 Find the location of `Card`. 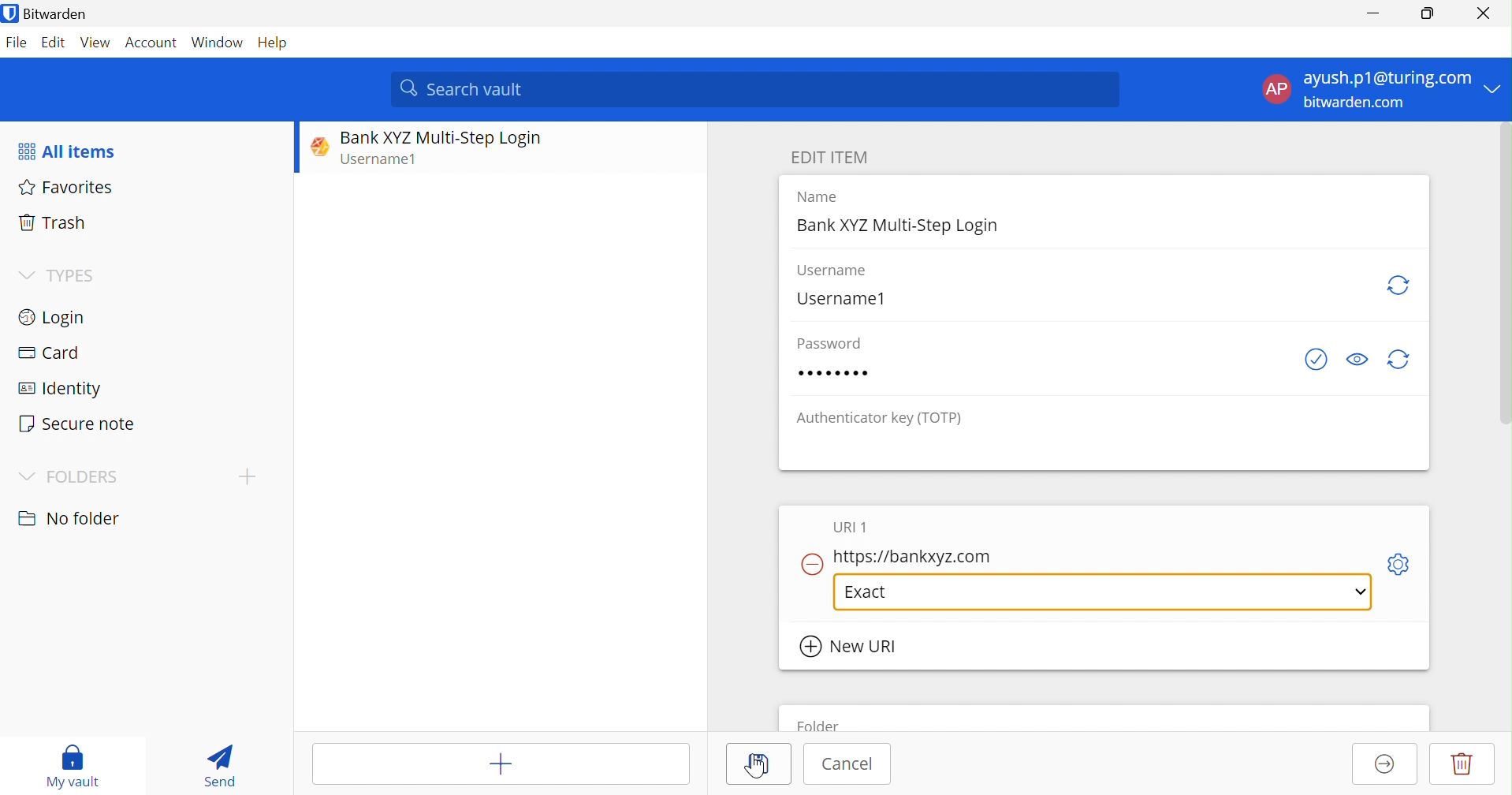

Card is located at coordinates (48, 352).